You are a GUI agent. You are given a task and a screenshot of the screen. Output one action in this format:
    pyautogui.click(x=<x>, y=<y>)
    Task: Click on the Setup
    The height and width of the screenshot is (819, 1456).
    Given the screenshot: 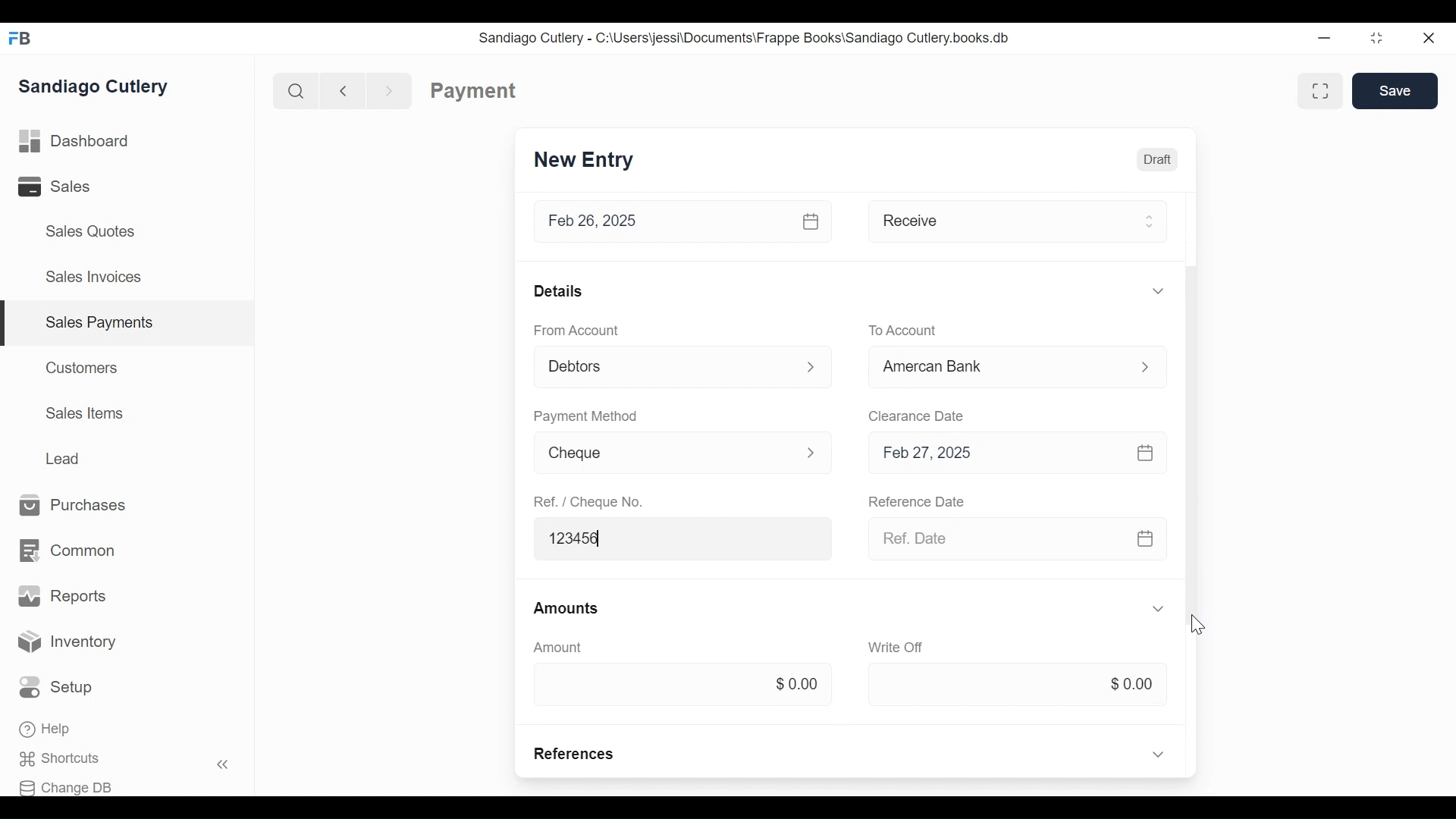 What is the action you would take?
    pyautogui.click(x=60, y=688)
    